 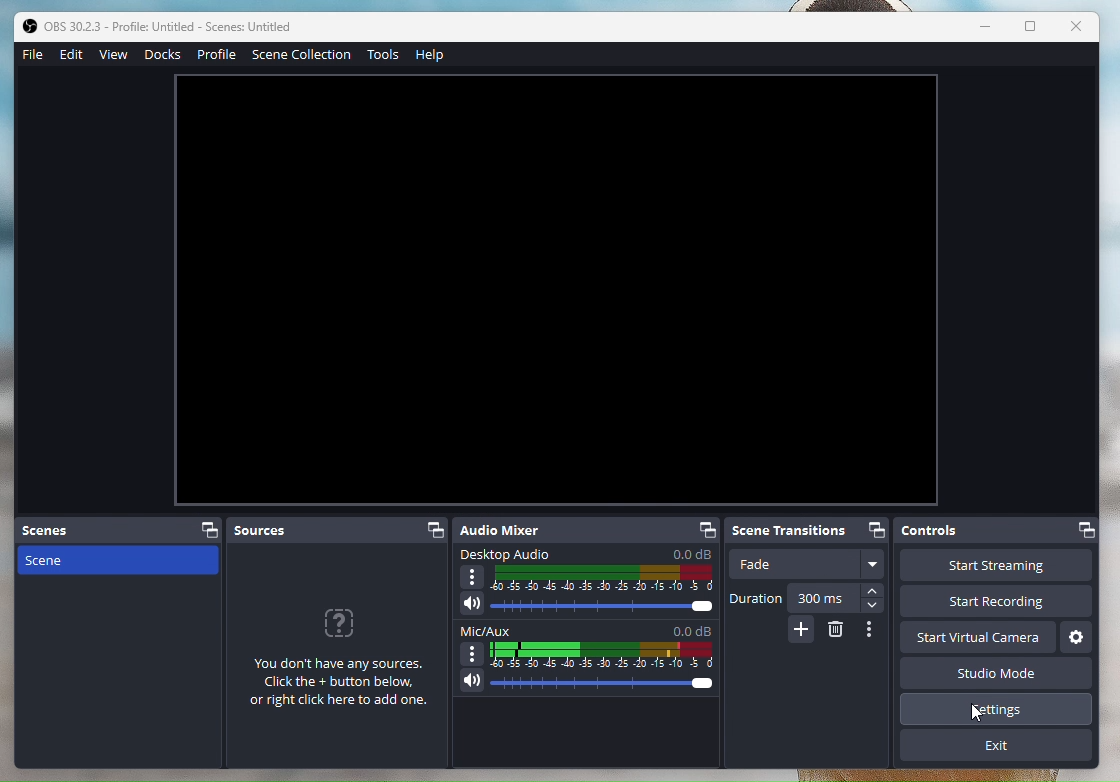 What do you see at coordinates (808, 600) in the screenshot?
I see `Duration` at bounding box center [808, 600].